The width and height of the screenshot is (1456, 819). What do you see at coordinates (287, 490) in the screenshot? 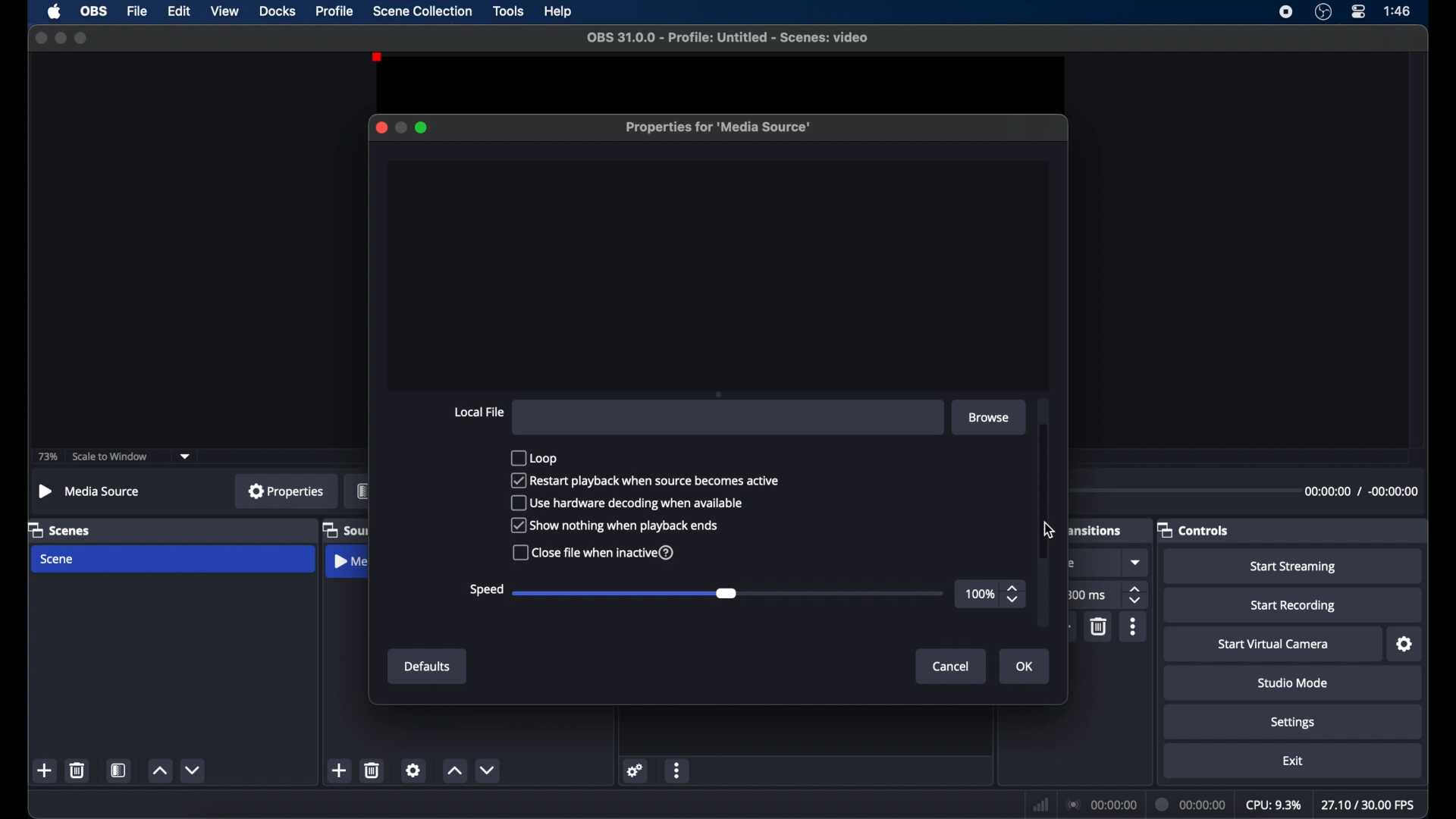
I see `properties` at bounding box center [287, 490].